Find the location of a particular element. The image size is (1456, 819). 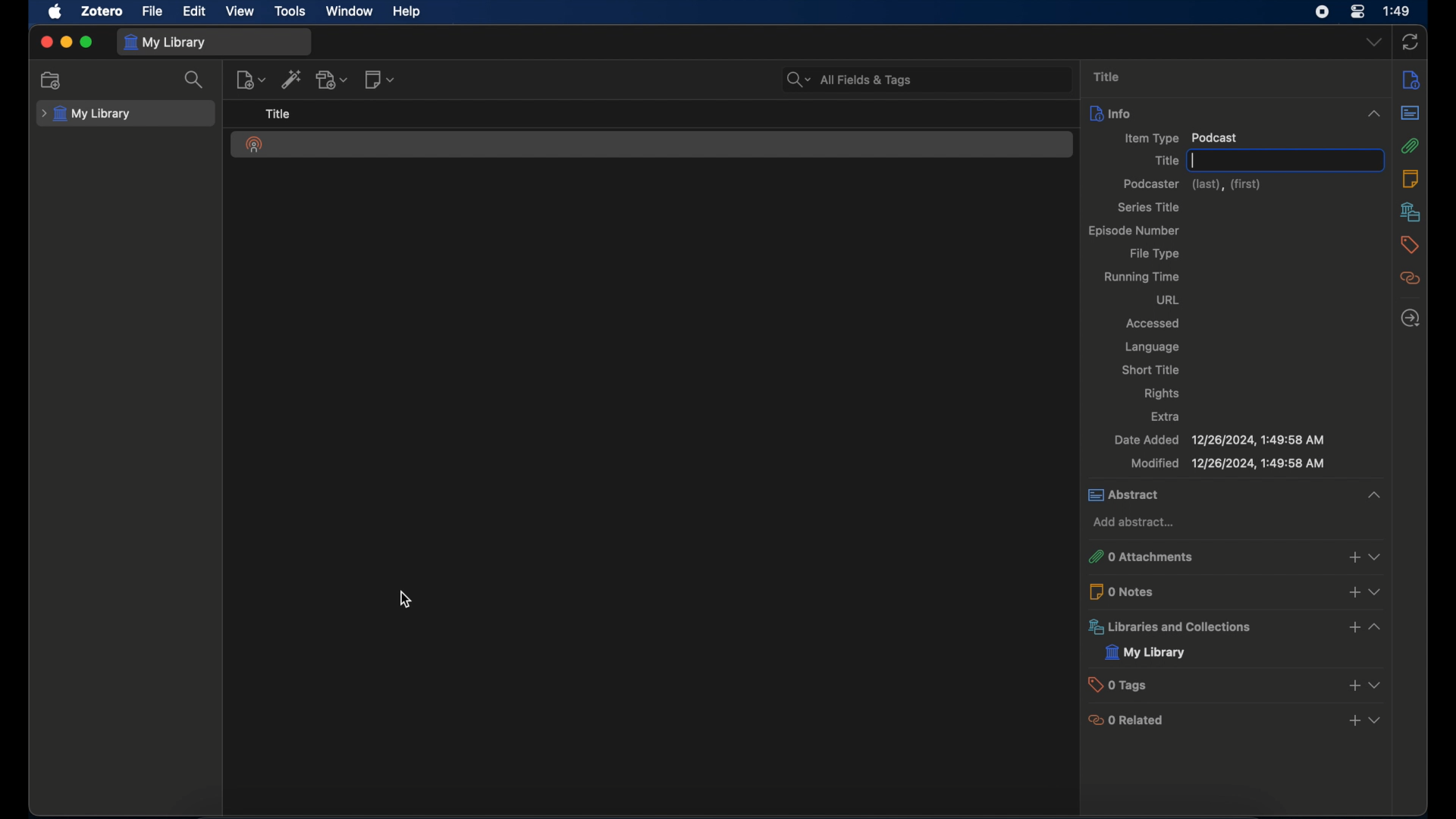

title is located at coordinates (1165, 160).